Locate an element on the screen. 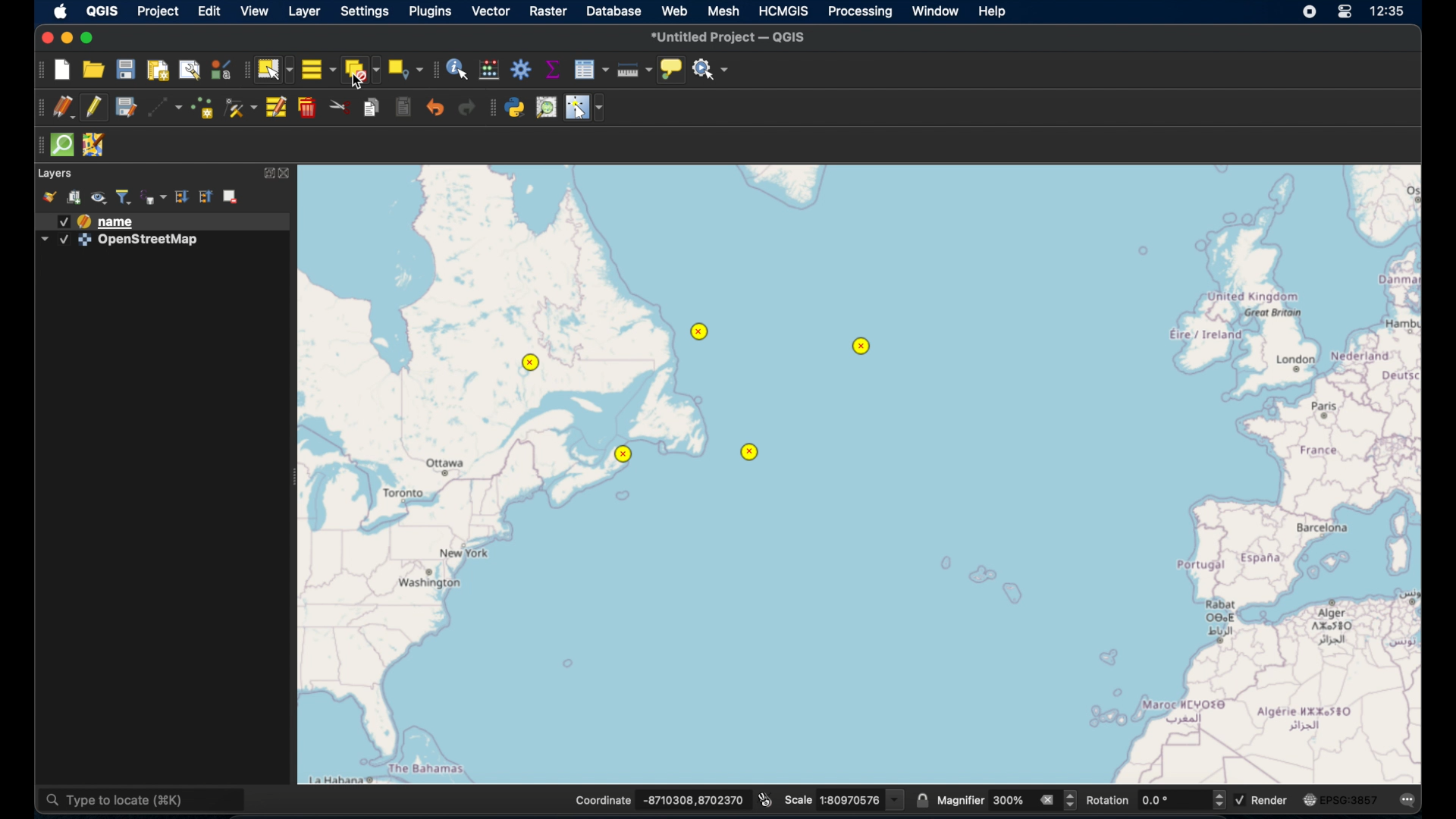  plugins is located at coordinates (430, 13).